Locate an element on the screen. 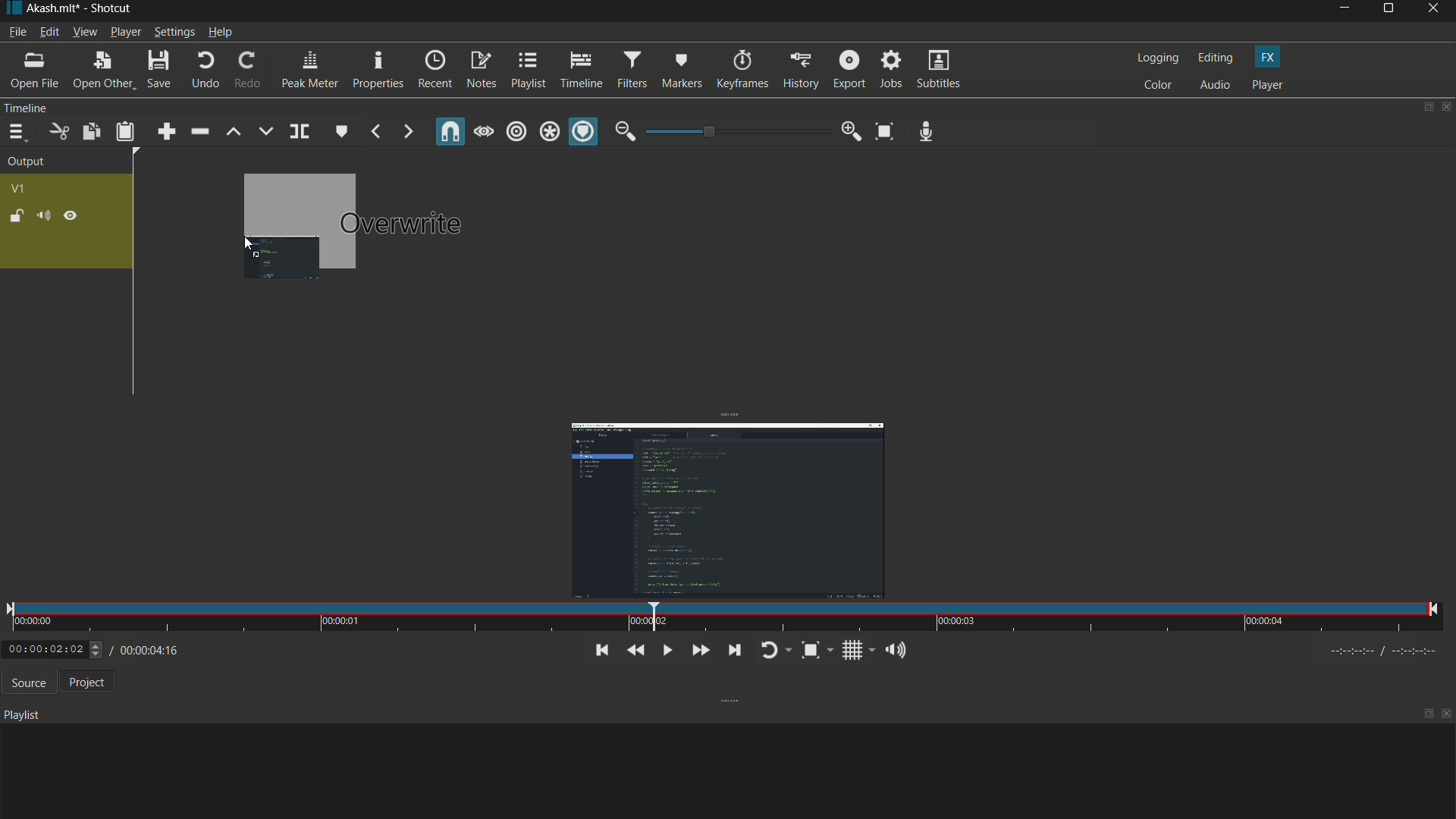 Image resolution: width=1456 pixels, height=819 pixels. editing is located at coordinates (1214, 58).